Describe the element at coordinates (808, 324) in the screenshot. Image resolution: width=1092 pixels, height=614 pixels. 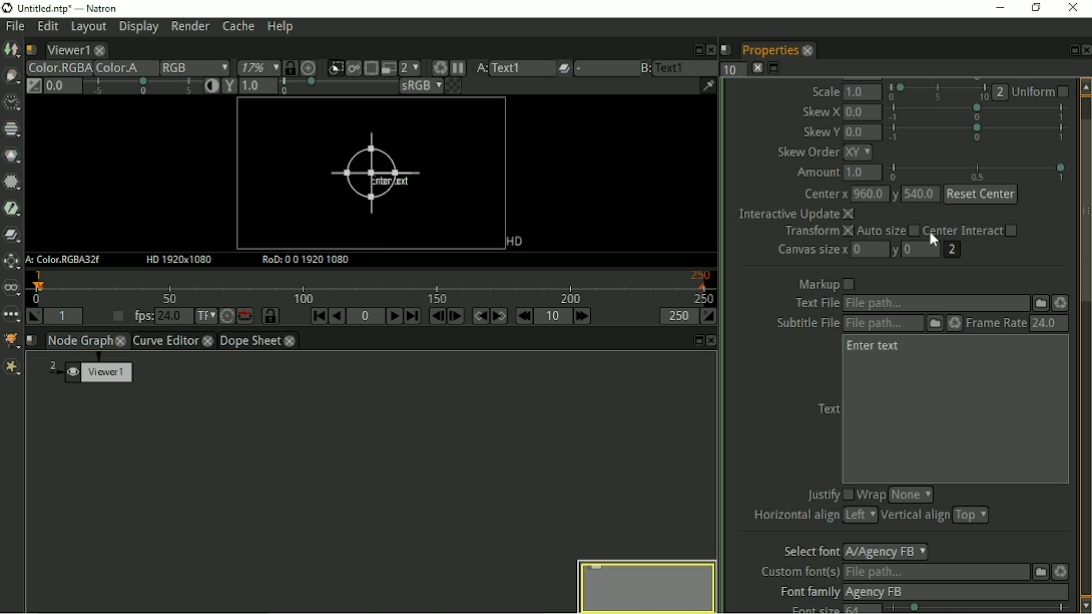
I see `subtitle file` at that location.